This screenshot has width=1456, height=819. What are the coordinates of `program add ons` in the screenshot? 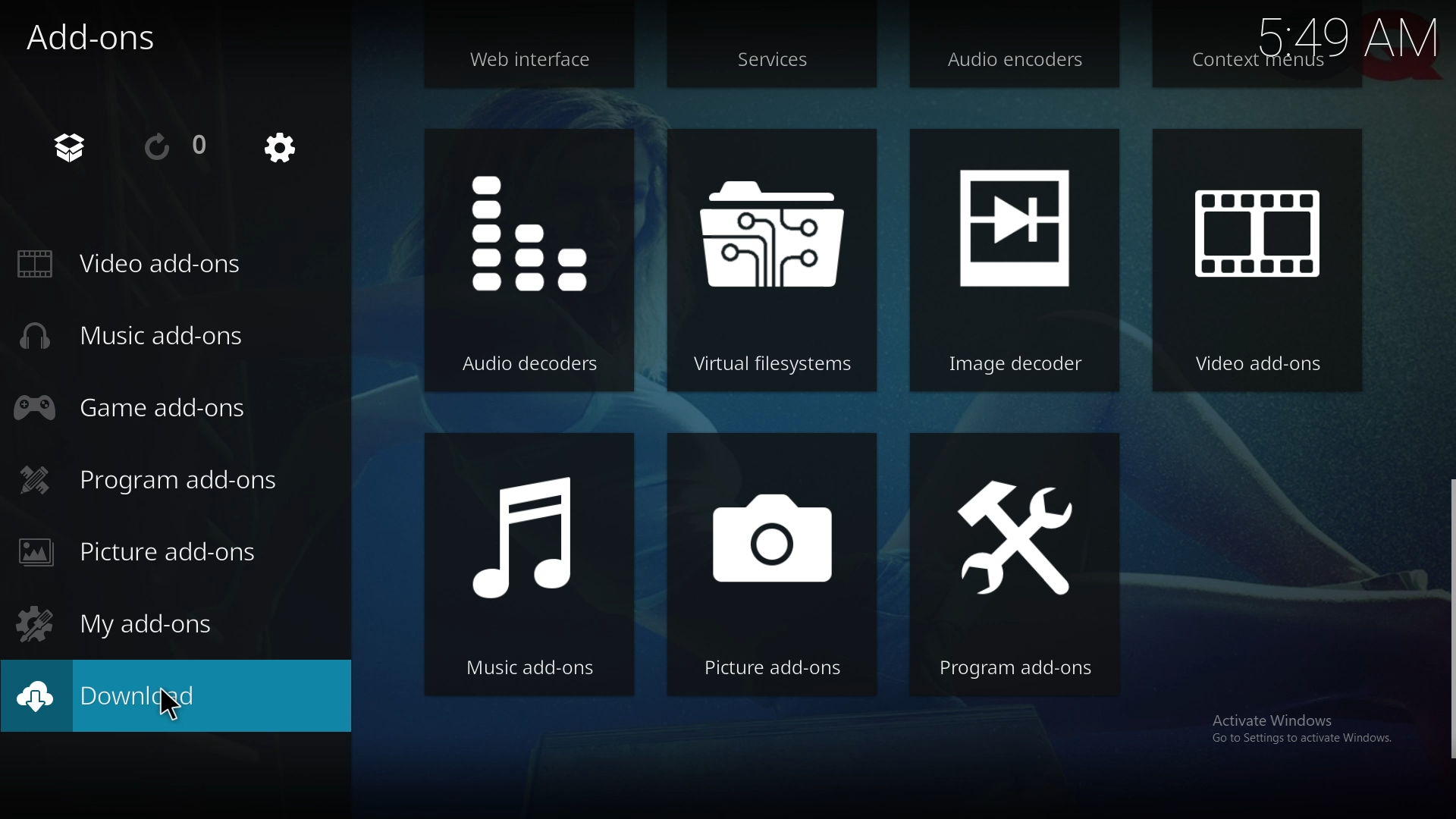 It's located at (162, 477).